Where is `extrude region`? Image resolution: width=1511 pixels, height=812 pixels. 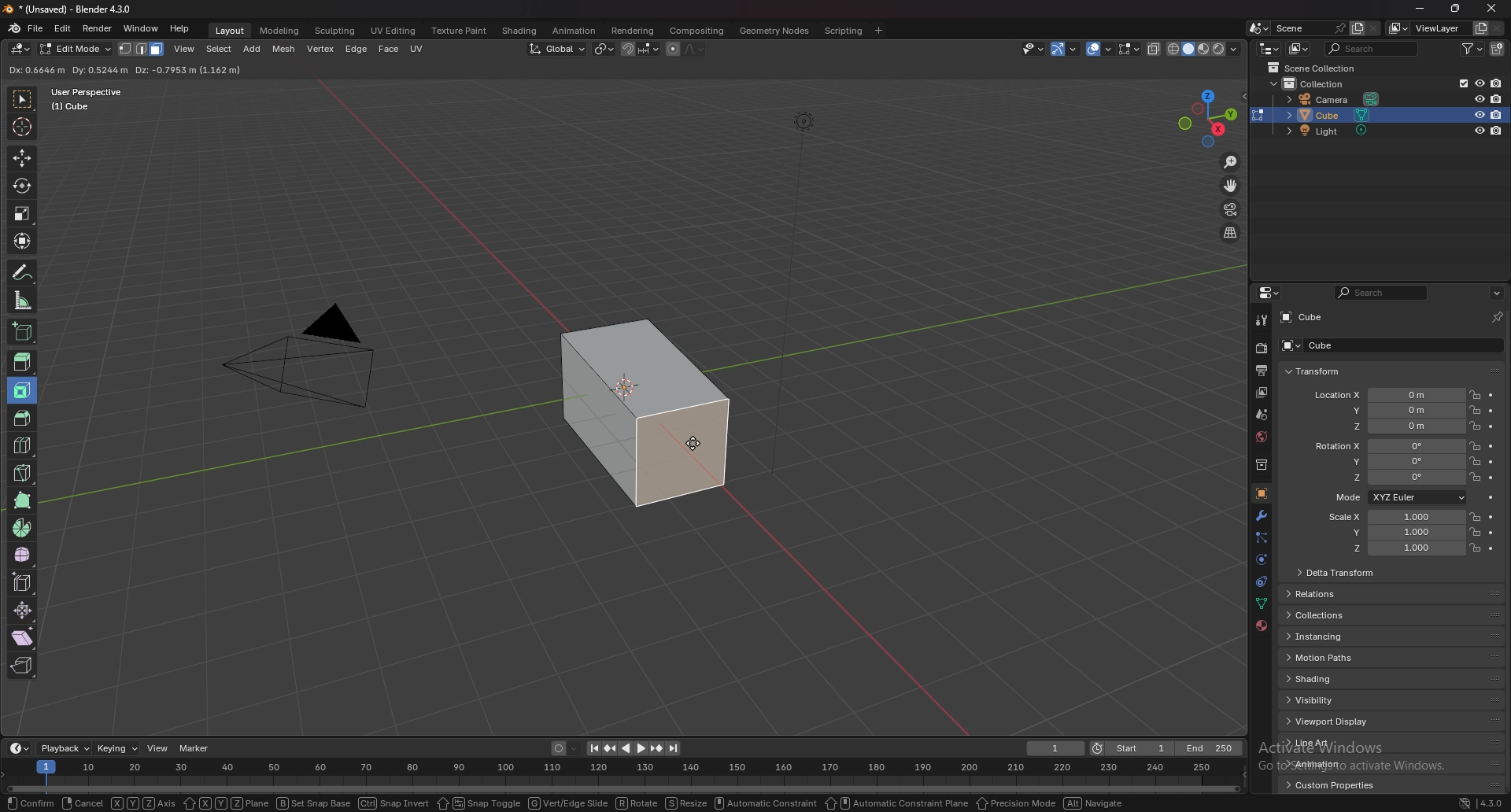 extrude region is located at coordinates (23, 362).